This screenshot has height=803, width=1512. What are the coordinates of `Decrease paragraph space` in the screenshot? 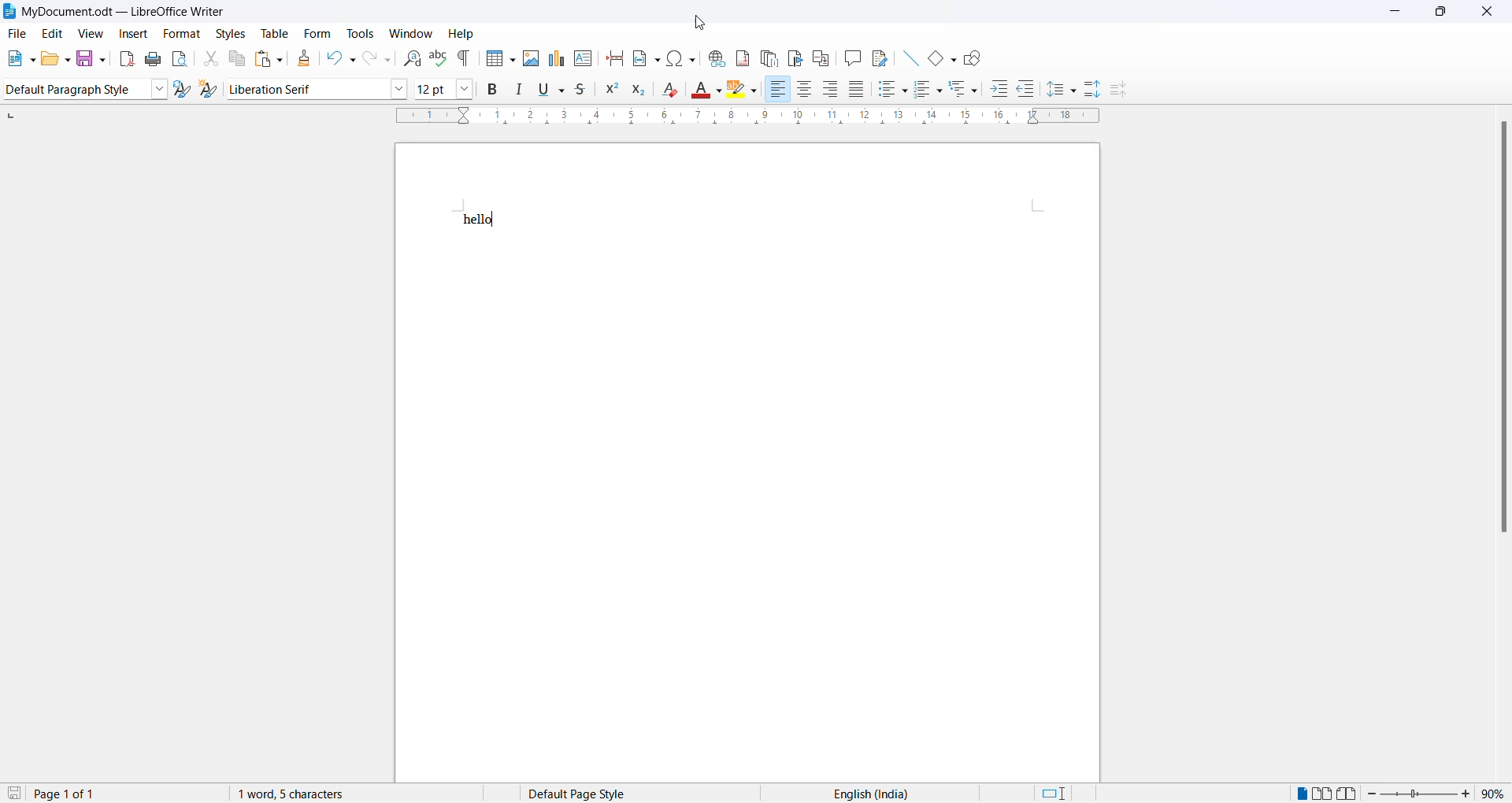 It's located at (1123, 91).